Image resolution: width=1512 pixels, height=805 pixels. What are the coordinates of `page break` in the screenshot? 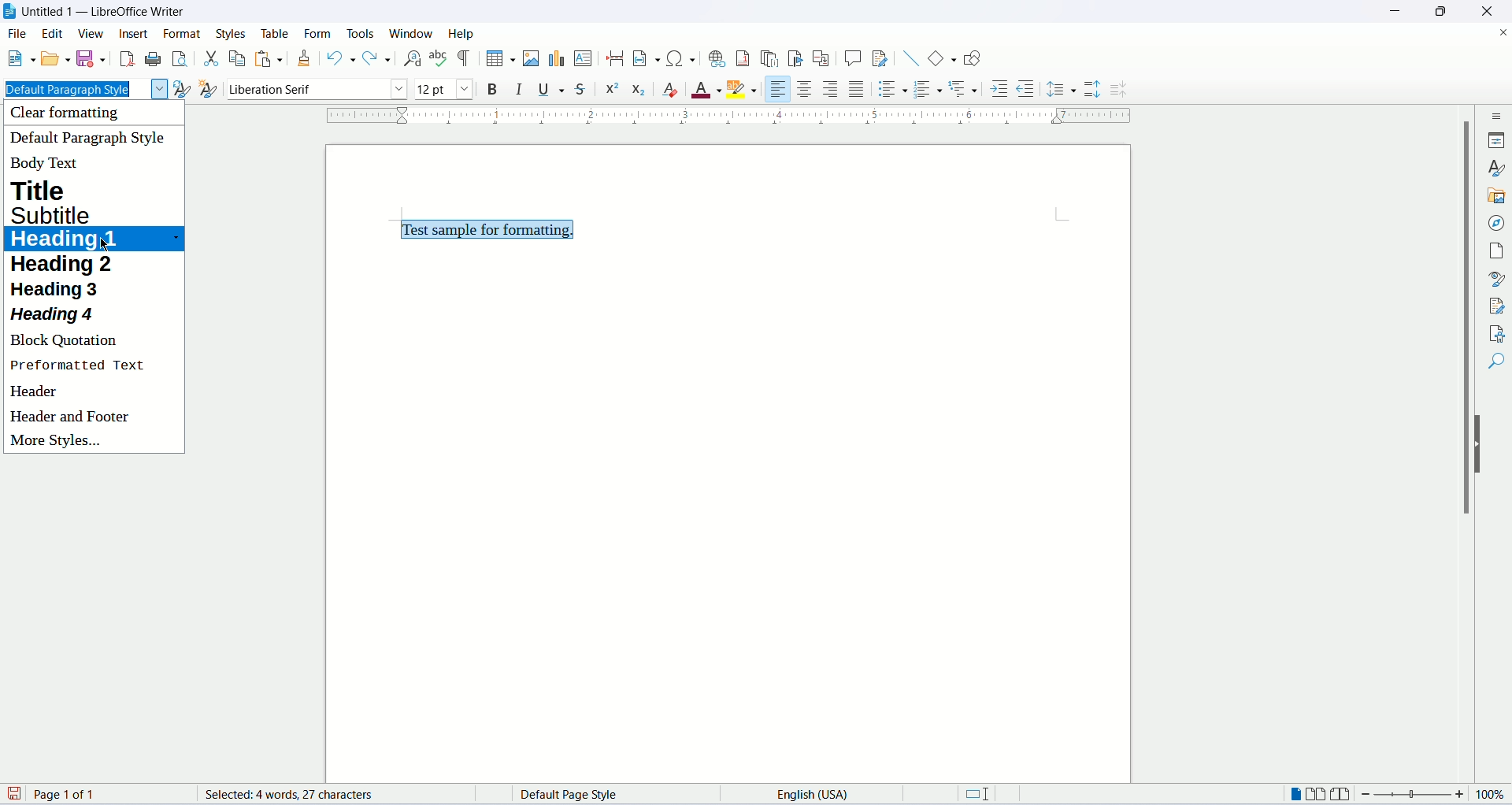 It's located at (615, 59).